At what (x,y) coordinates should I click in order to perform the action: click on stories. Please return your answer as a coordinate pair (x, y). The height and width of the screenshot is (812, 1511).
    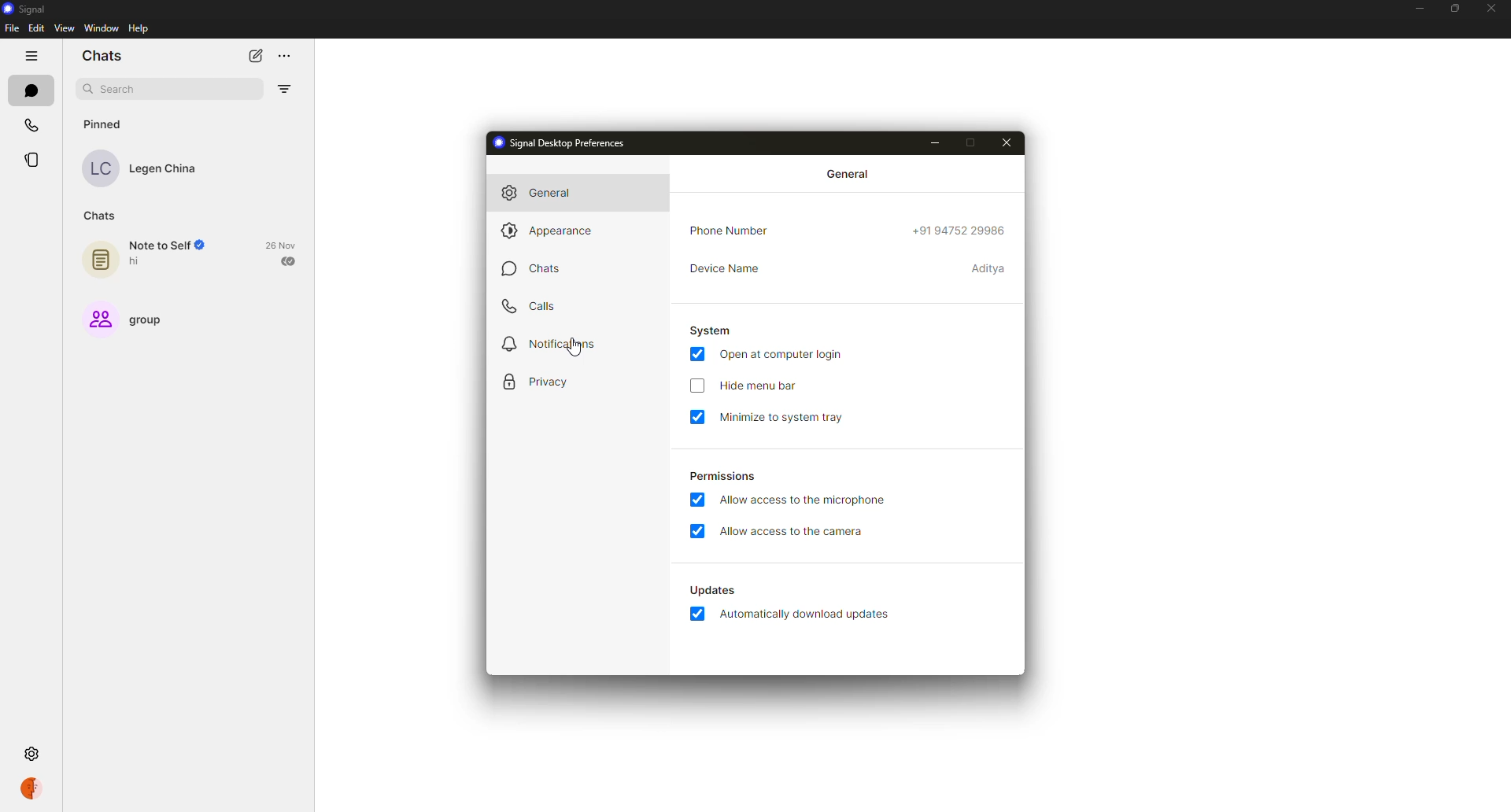
    Looking at the image, I should click on (31, 157).